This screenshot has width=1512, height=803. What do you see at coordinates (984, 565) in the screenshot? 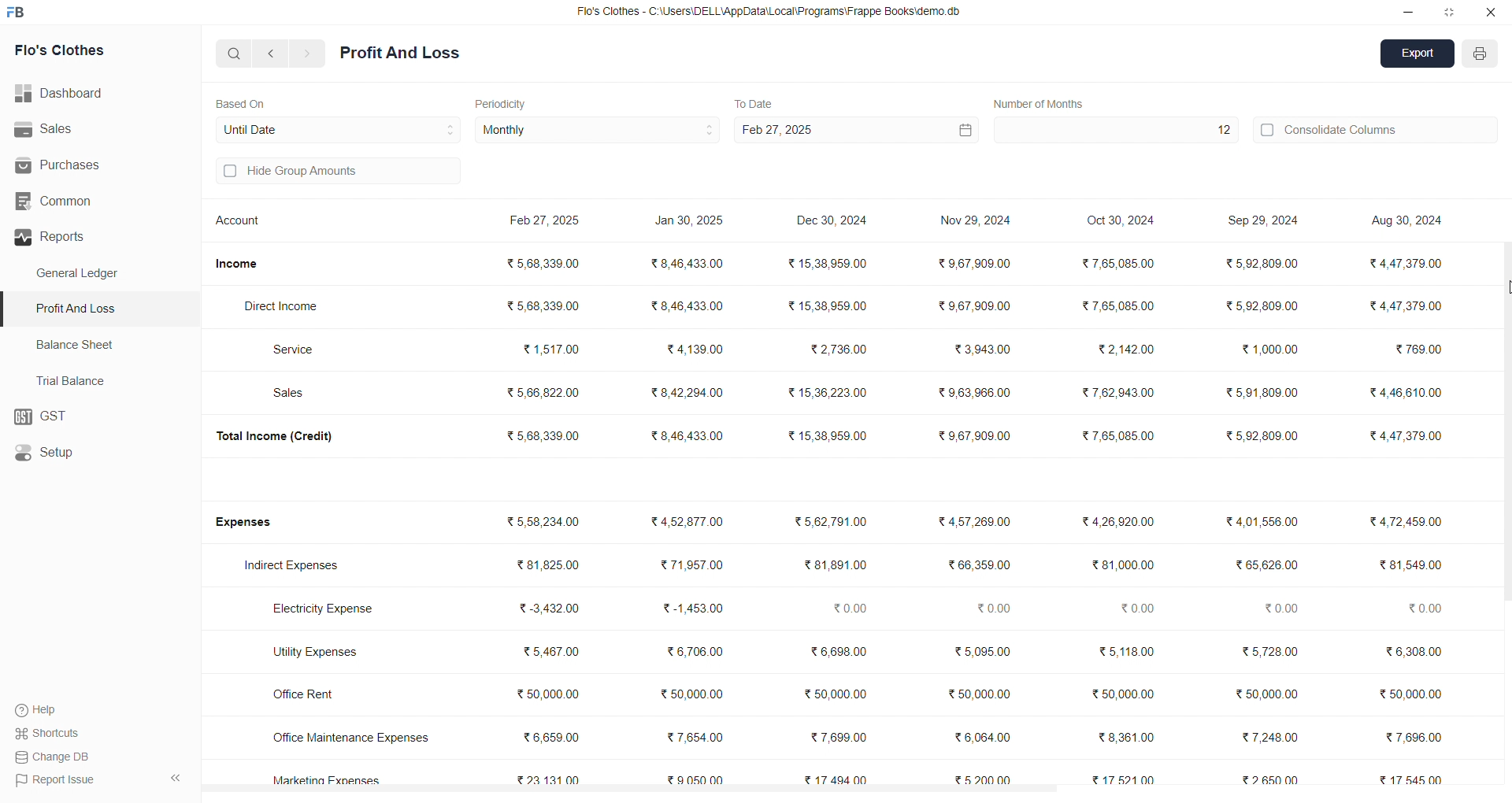
I see `₹66,359.00` at bounding box center [984, 565].